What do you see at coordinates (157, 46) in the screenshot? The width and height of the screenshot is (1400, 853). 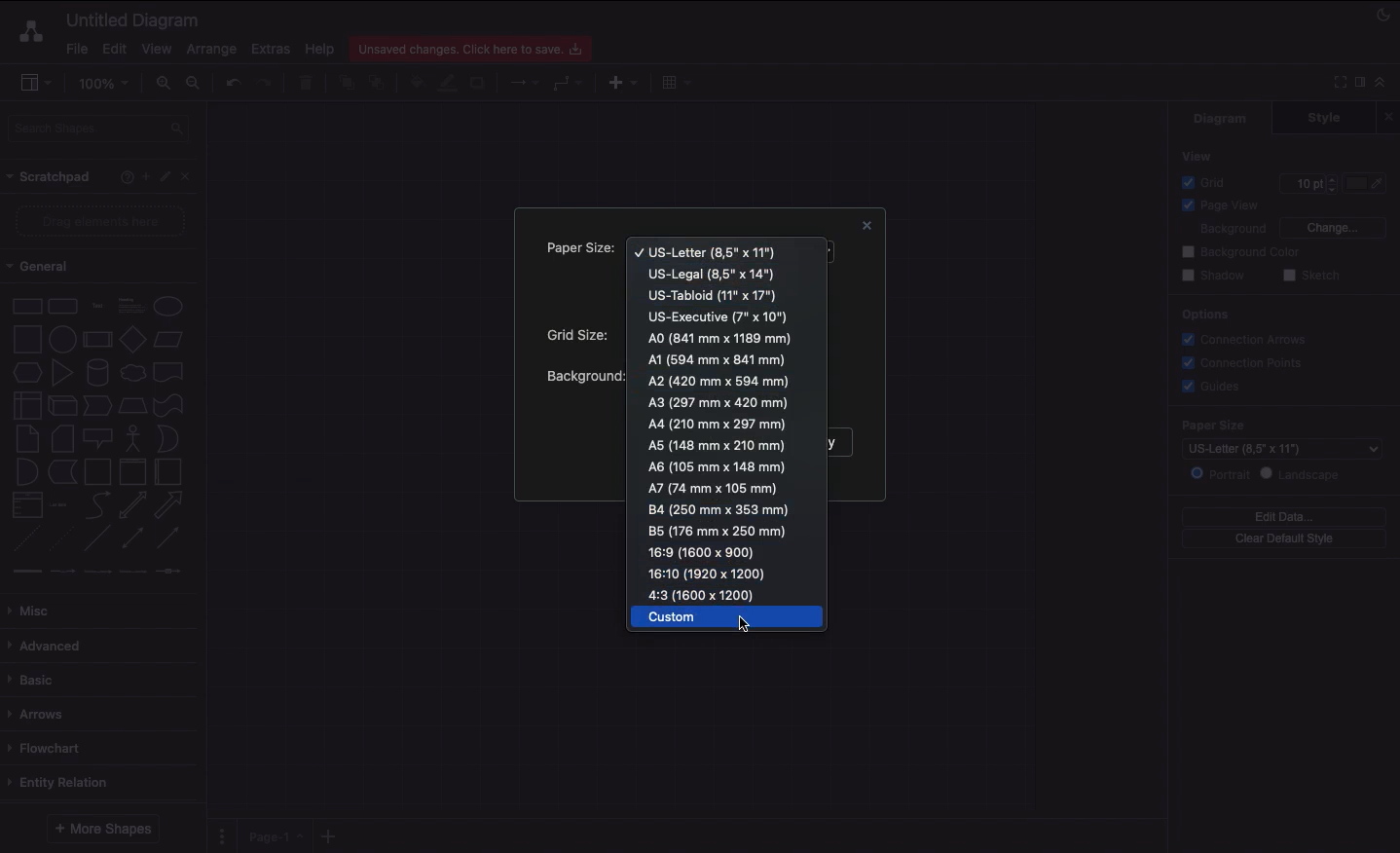 I see `View` at bounding box center [157, 46].